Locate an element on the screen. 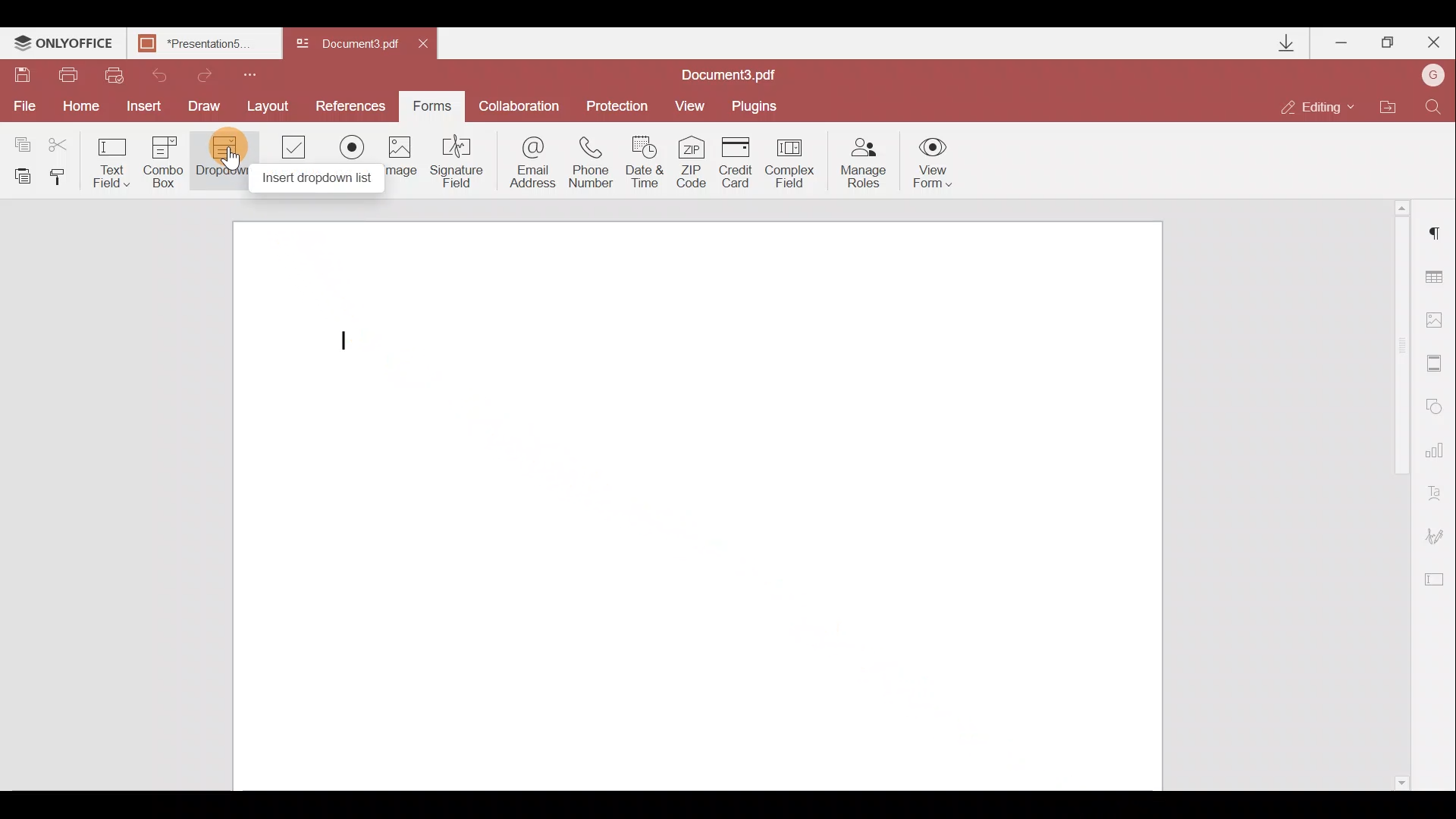 The image size is (1456, 819). Scroll bar is located at coordinates (1394, 497).